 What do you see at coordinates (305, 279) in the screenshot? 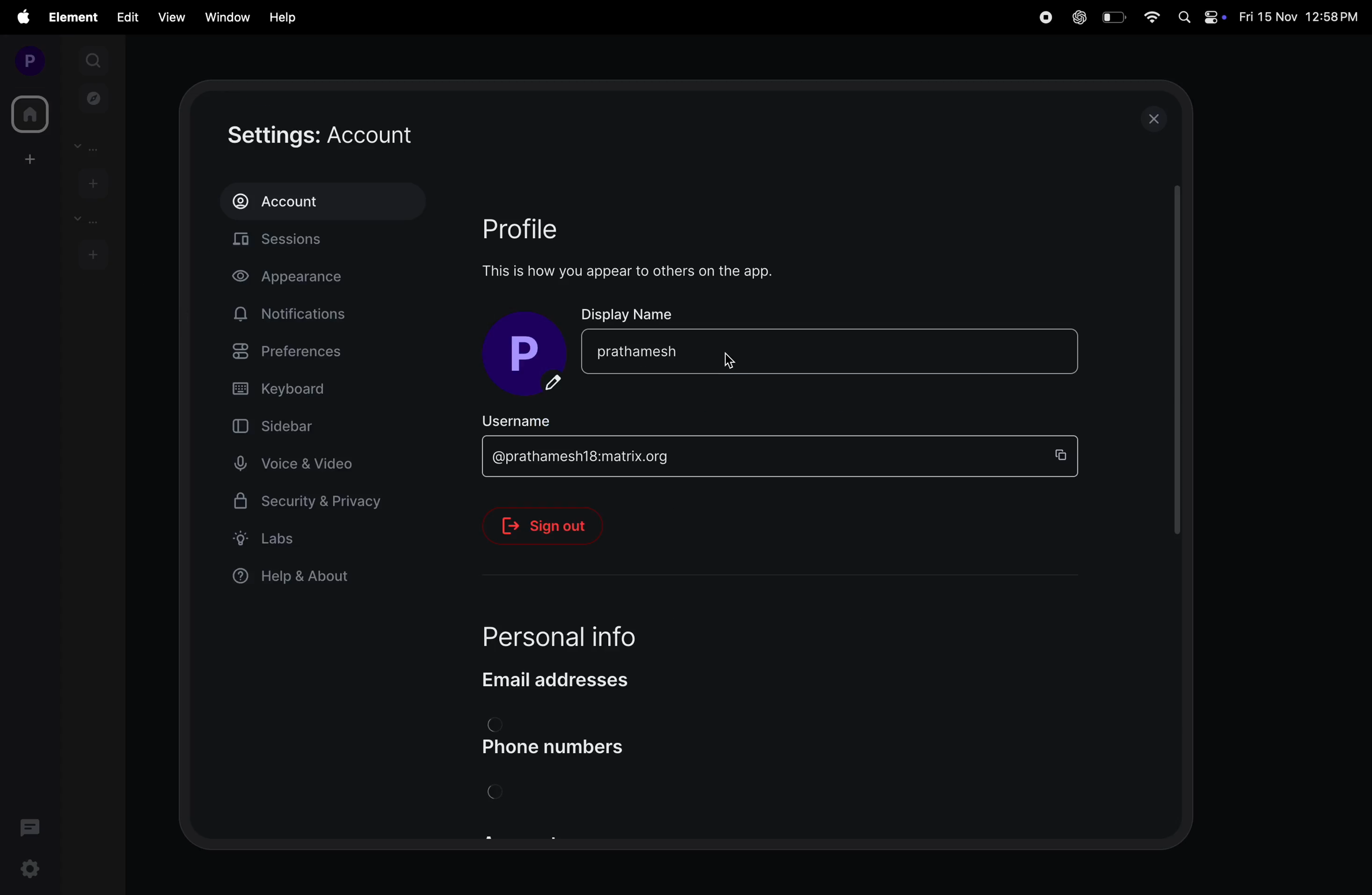
I see `apperance` at bounding box center [305, 279].